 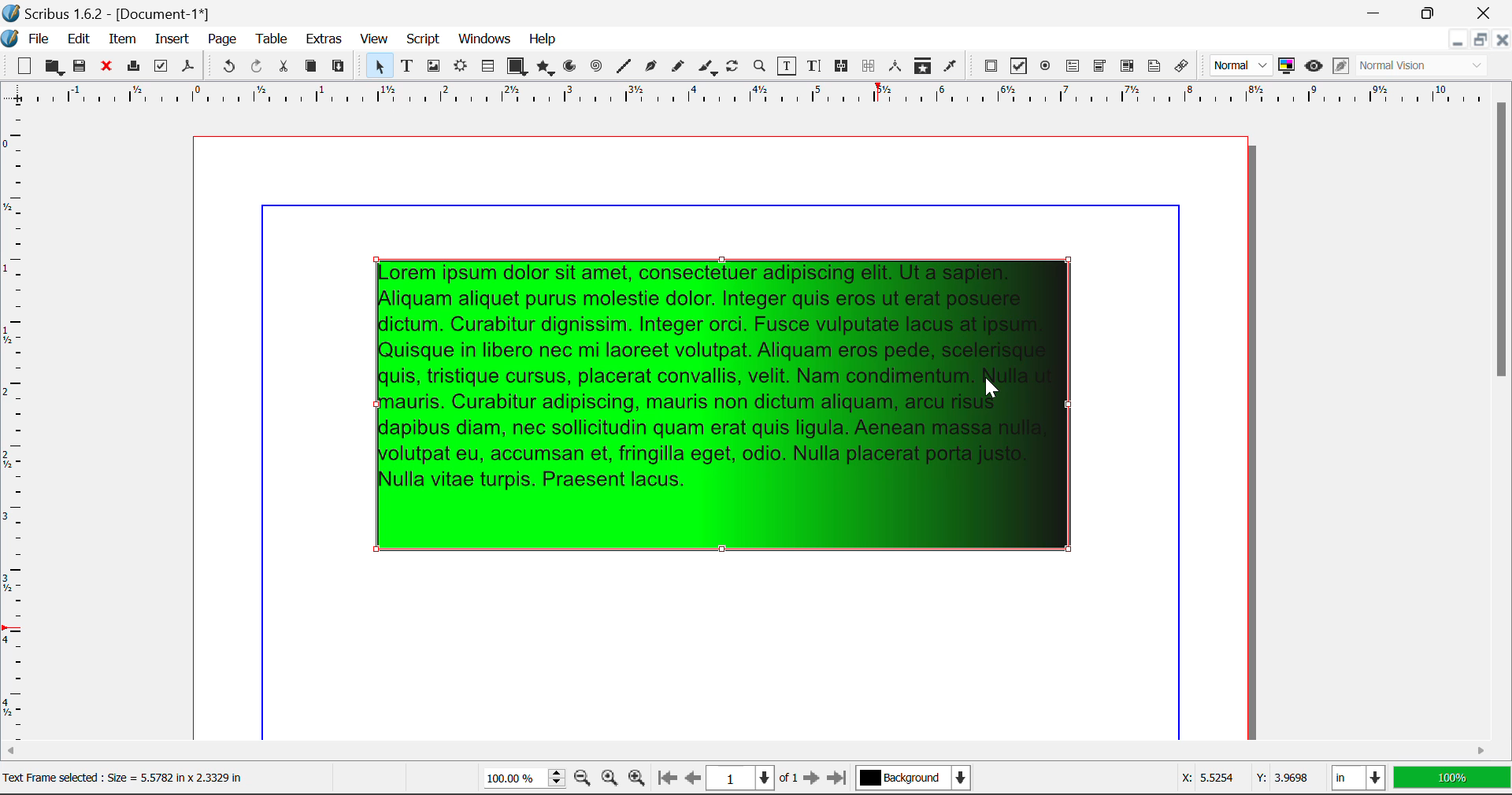 I want to click on Horizontal Page Margins, so click(x=20, y=431).